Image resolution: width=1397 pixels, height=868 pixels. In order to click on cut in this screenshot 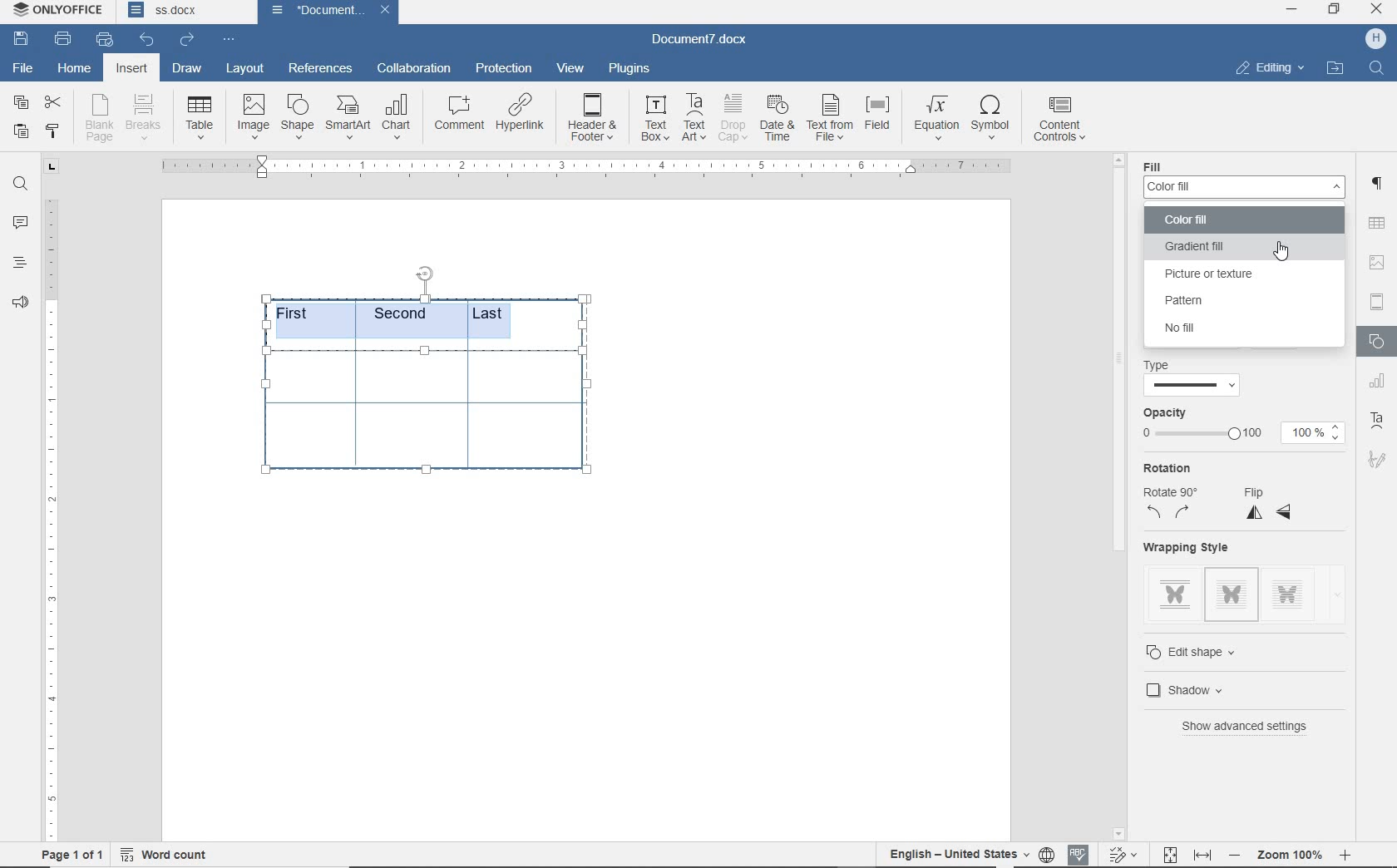, I will do `click(53, 104)`.